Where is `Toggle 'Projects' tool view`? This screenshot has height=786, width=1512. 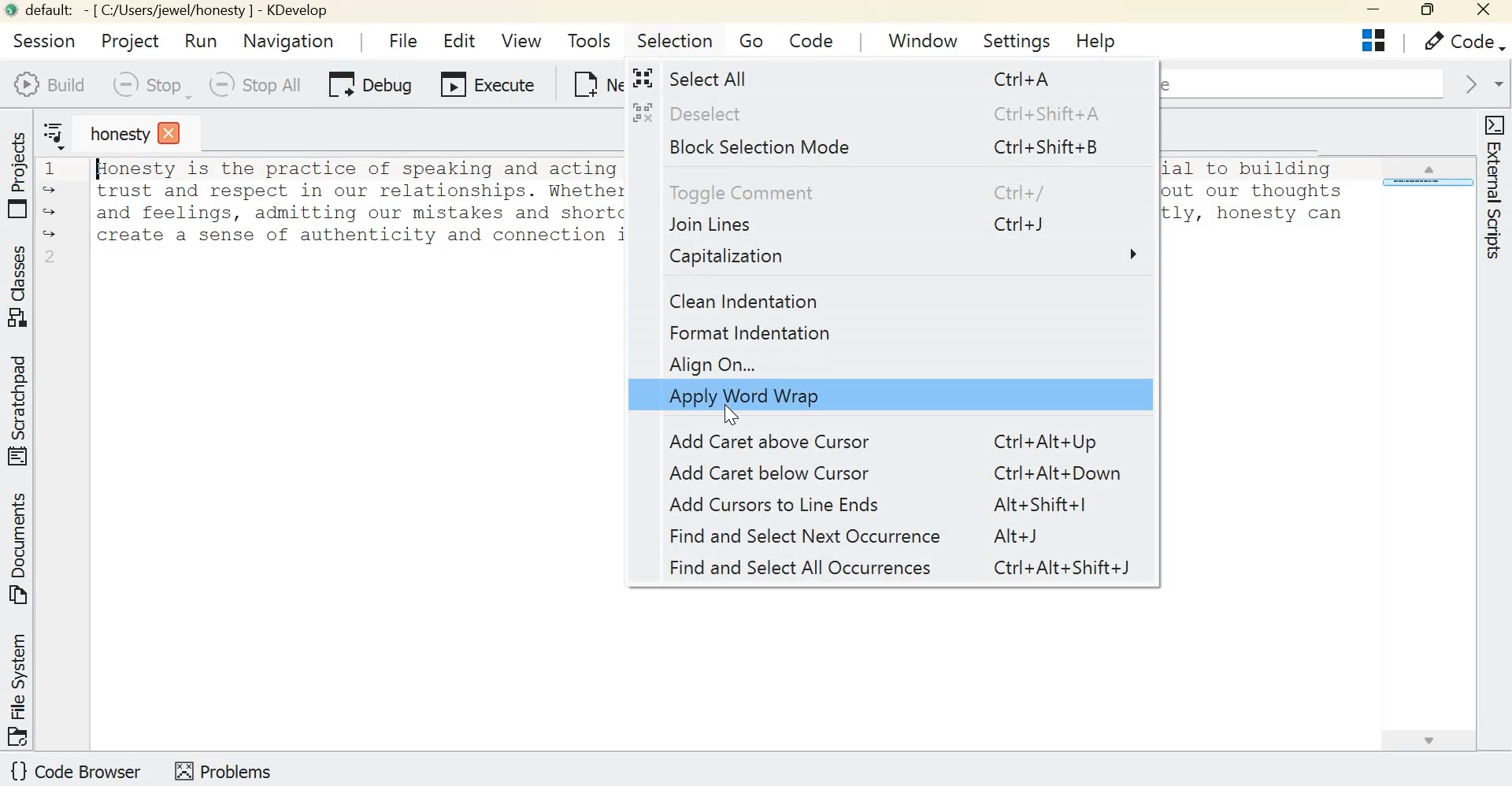 Toggle 'Projects' tool view is located at coordinates (21, 171).